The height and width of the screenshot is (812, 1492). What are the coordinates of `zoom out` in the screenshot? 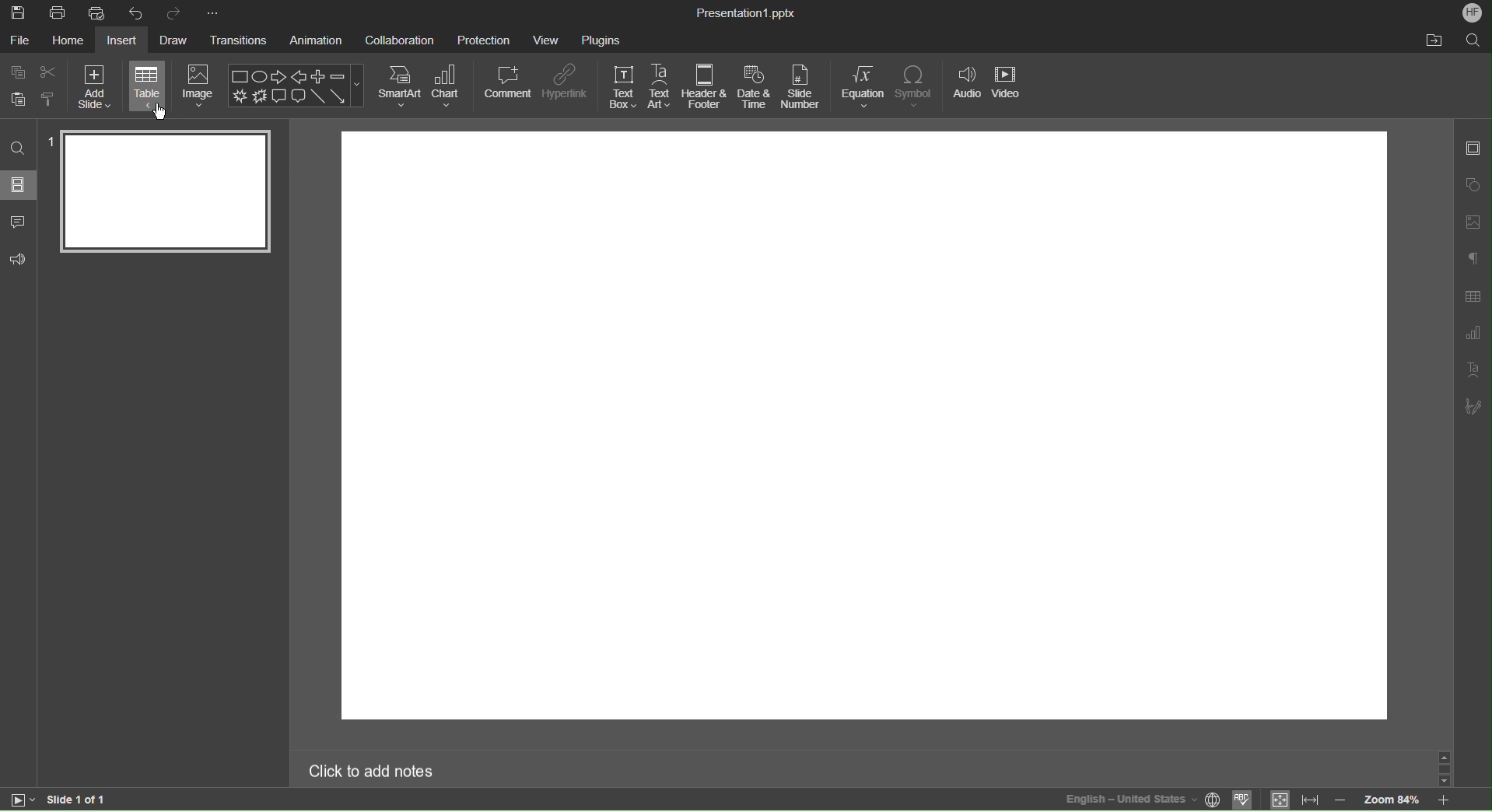 It's located at (1340, 800).